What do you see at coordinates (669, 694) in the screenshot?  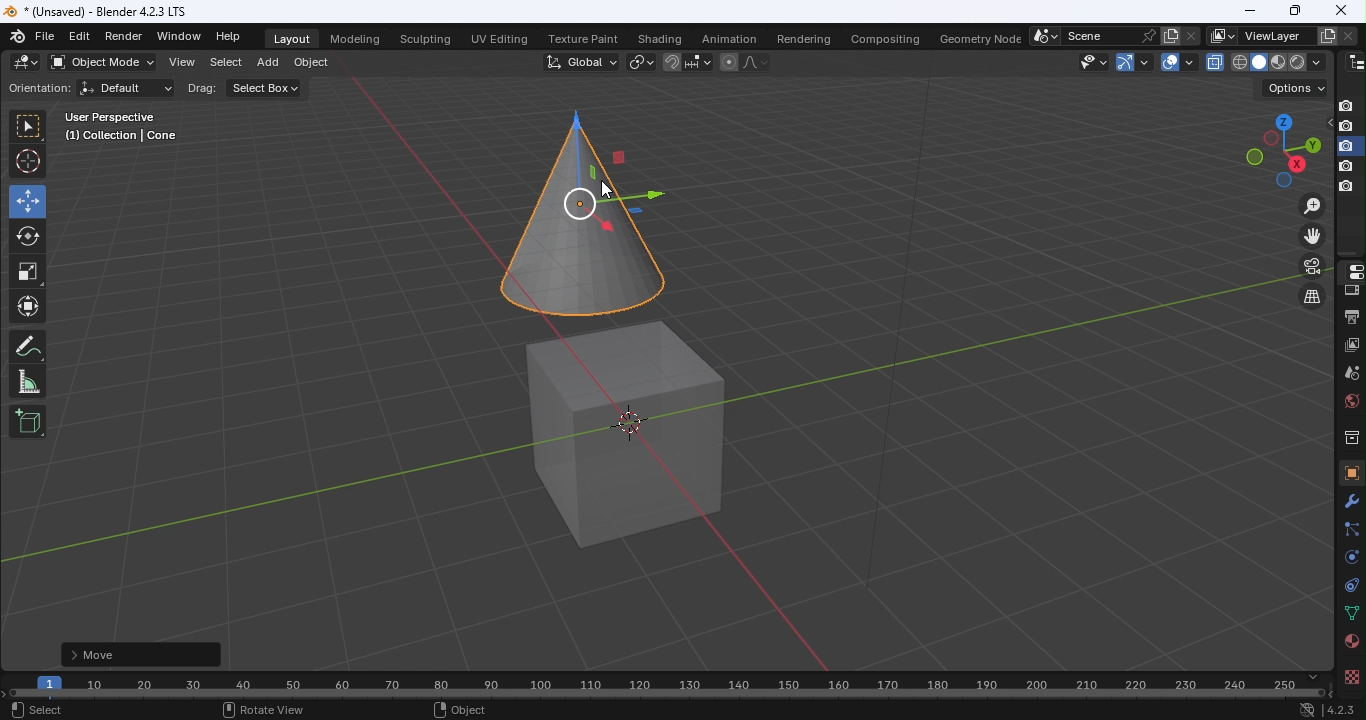 I see `Horizontal scroll bar` at bounding box center [669, 694].